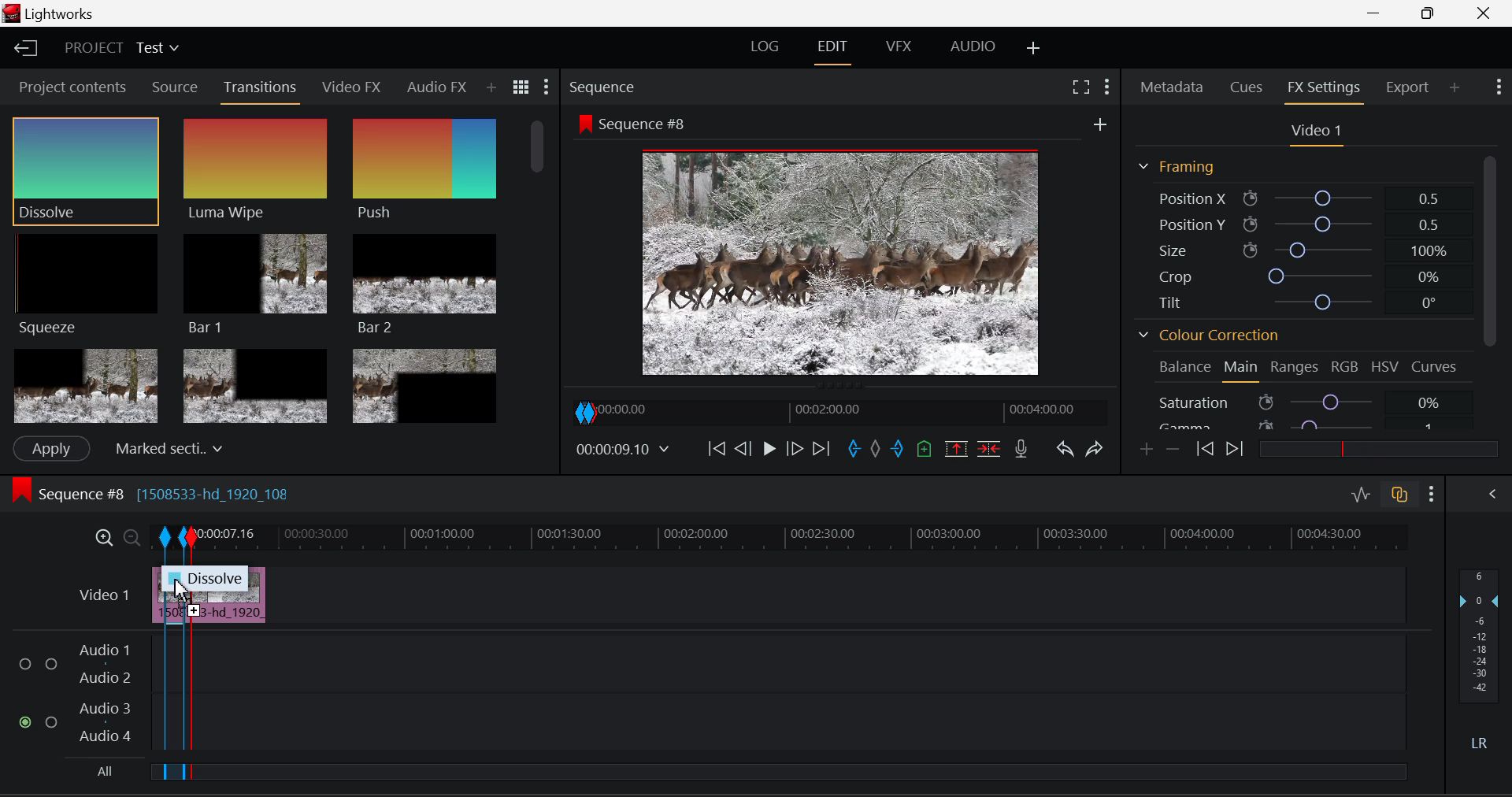  I want to click on Audio Input Checkbox, so click(51, 664).